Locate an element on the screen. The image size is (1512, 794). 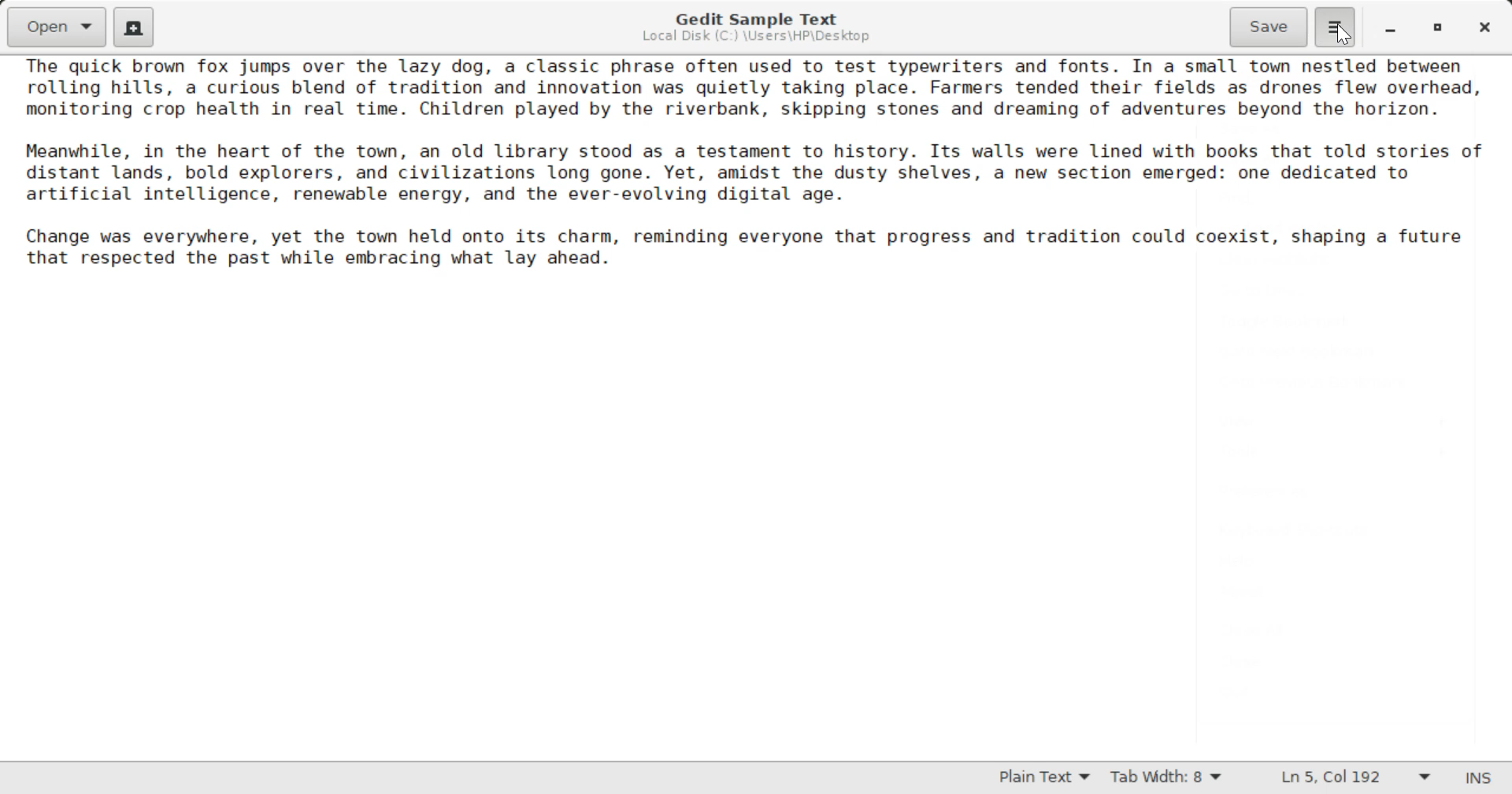
Text Language is located at coordinates (1043, 780).